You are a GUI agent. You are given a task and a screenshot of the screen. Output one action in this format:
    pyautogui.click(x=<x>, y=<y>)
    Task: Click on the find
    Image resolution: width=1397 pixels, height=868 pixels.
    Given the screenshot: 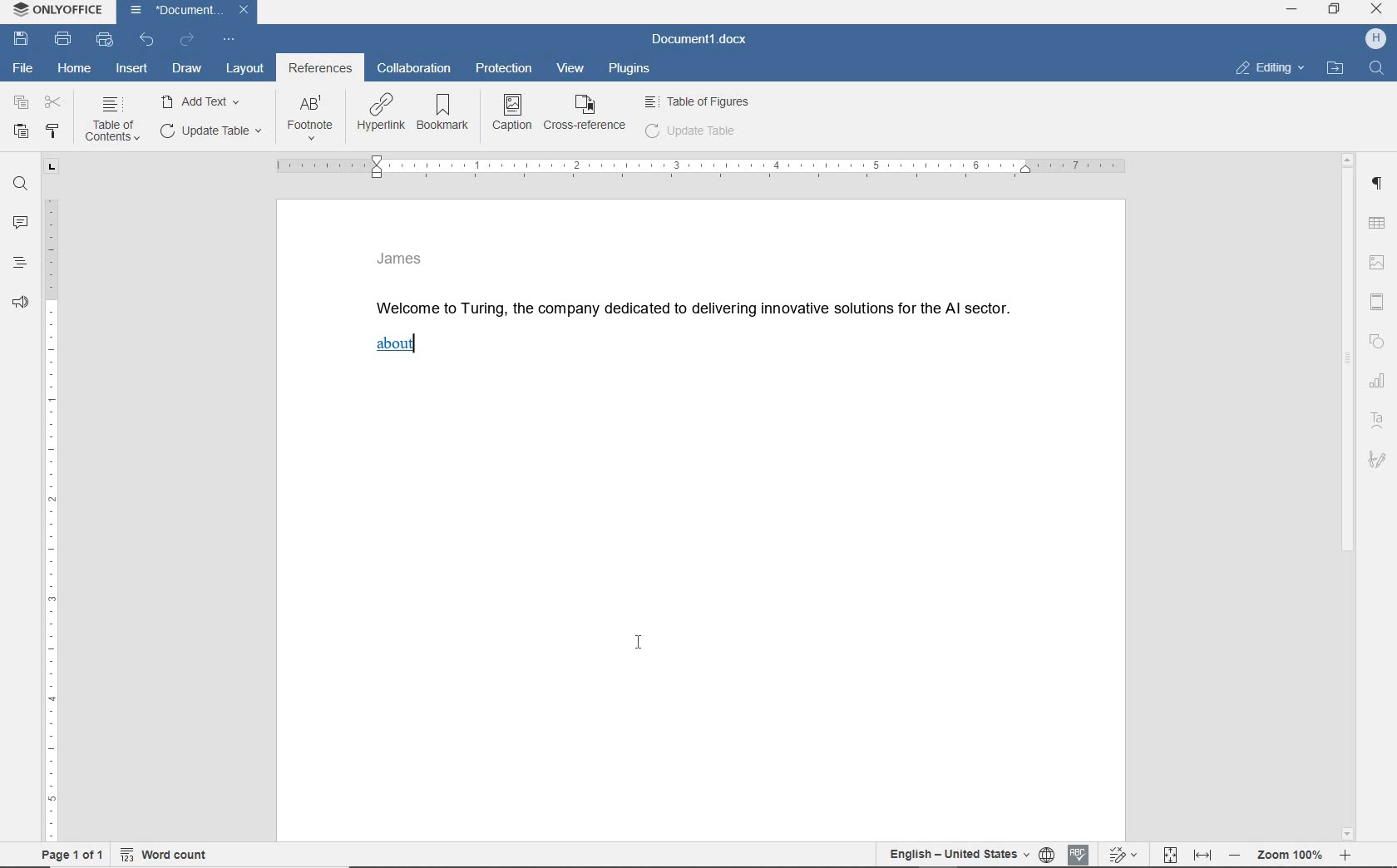 What is the action you would take?
    pyautogui.click(x=22, y=185)
    